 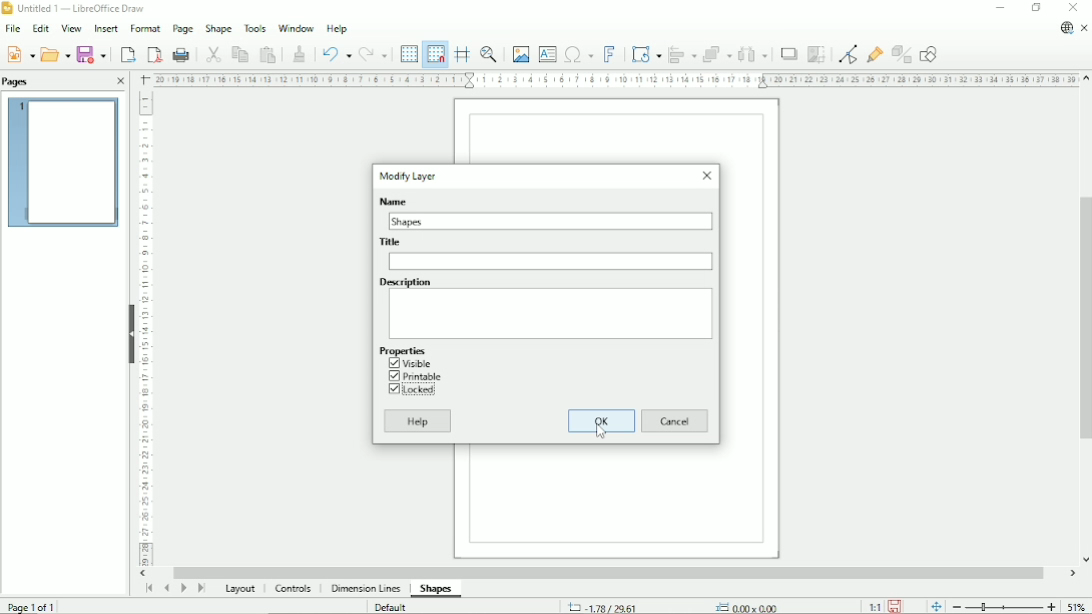 What do you see at coordinates (148, 589) in the screenshot?
I see `Scroll to first page` at bounding box center [148, 589].